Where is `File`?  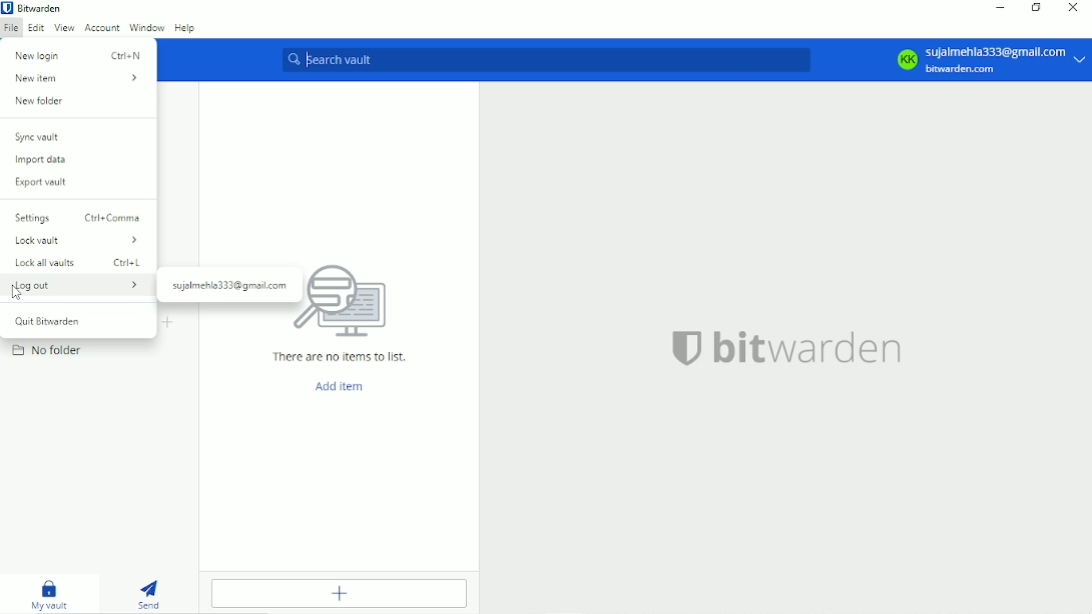 File is located at coordinates (10, 28).